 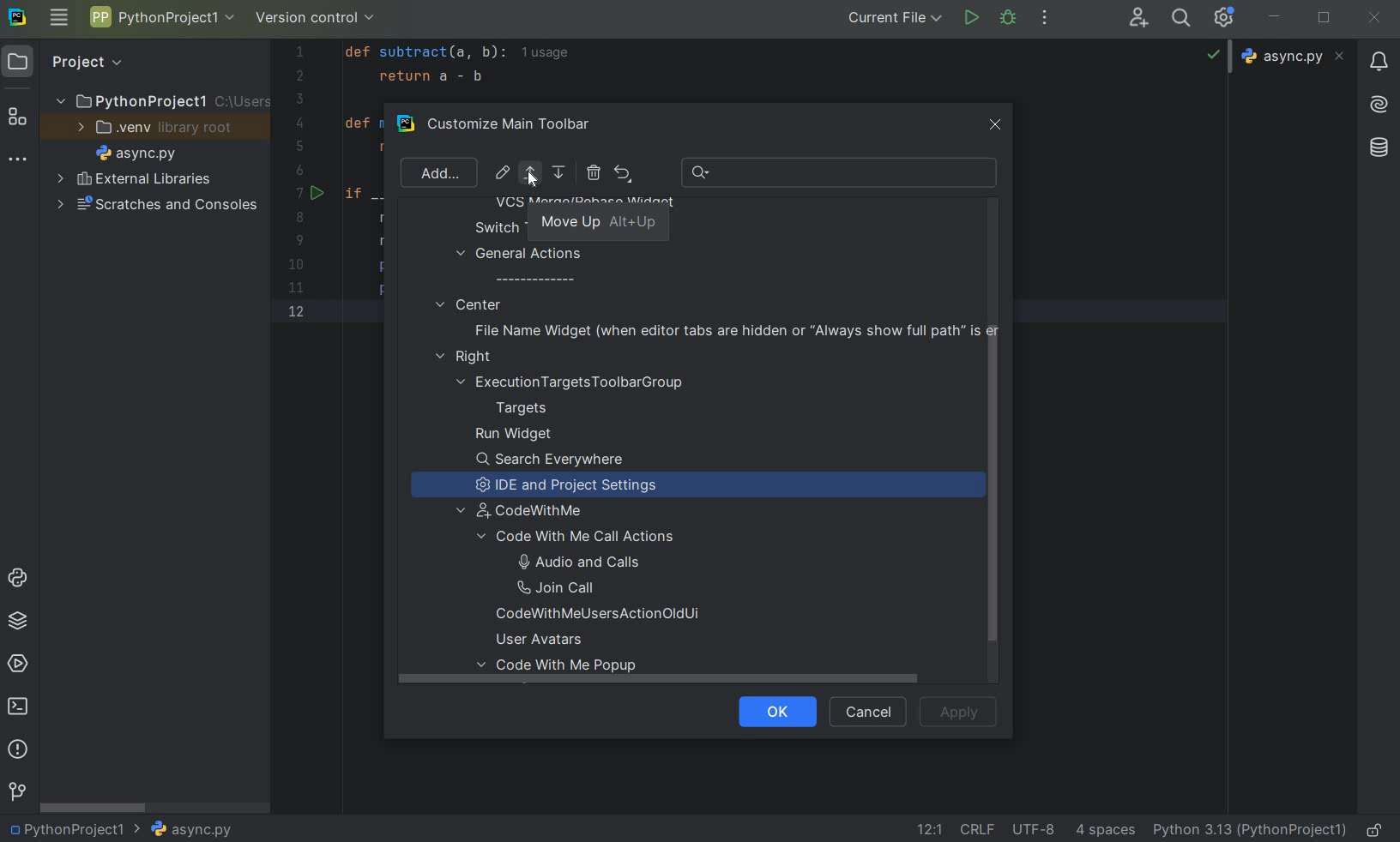 I want to click on PROBLEMS, so click(x=20, y=751).